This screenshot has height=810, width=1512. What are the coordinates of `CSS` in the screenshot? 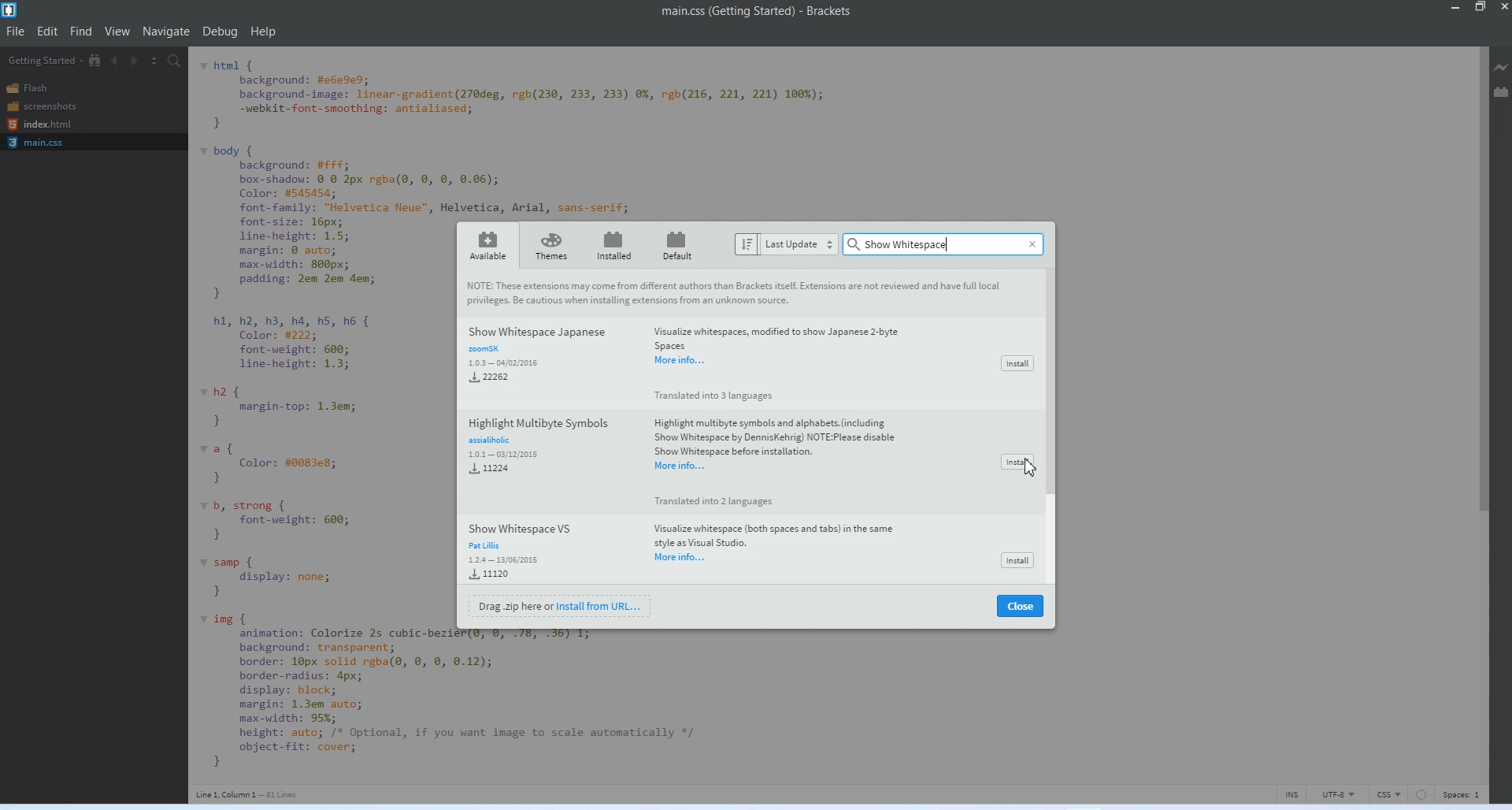 It's located at (1390, 793).